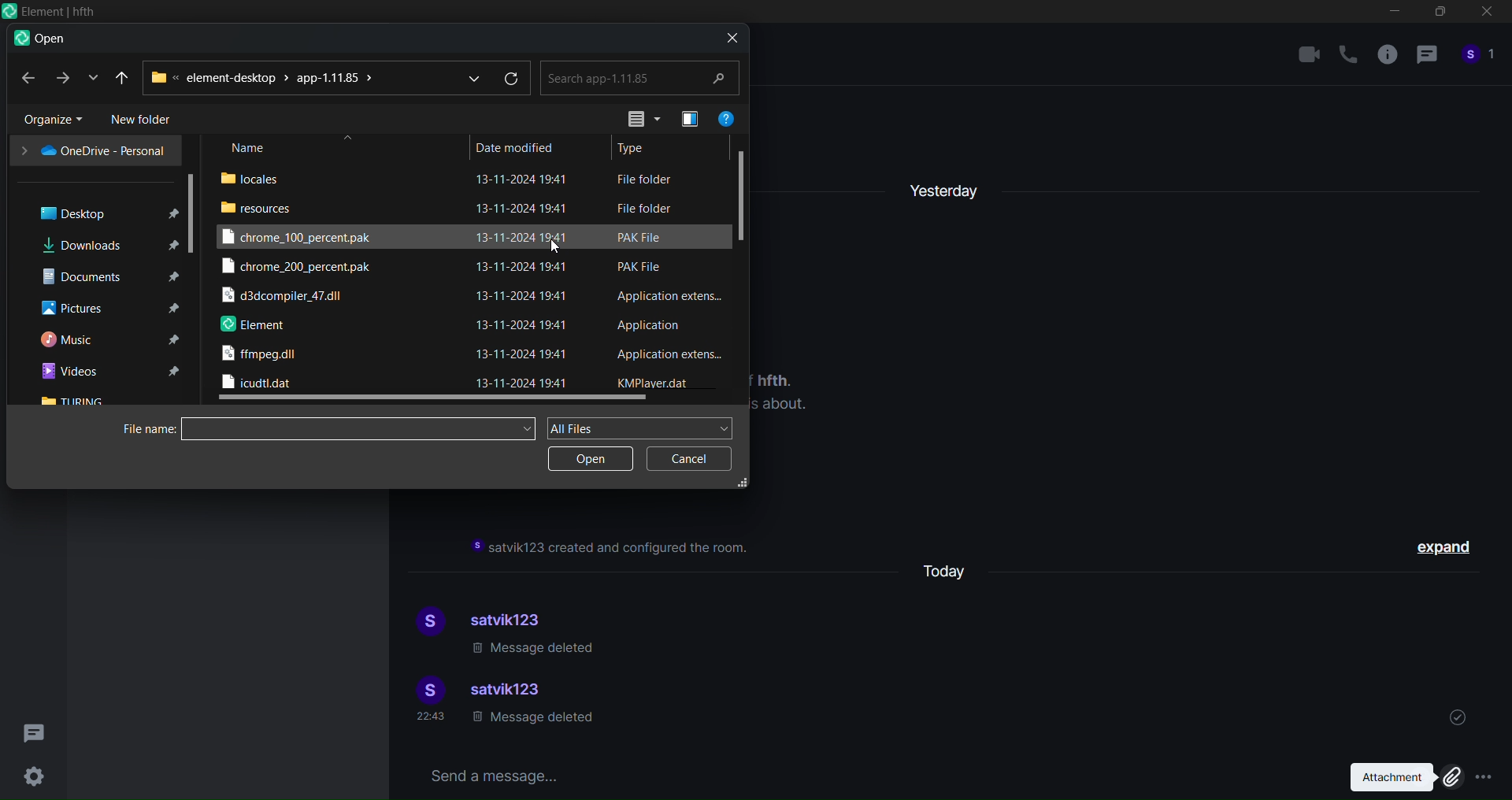 The width and height of the screenshot is (1512, 800). What do you see at coordinates (641, 77) in the screenshot?
I see `search` at bounding box center [641, 77].